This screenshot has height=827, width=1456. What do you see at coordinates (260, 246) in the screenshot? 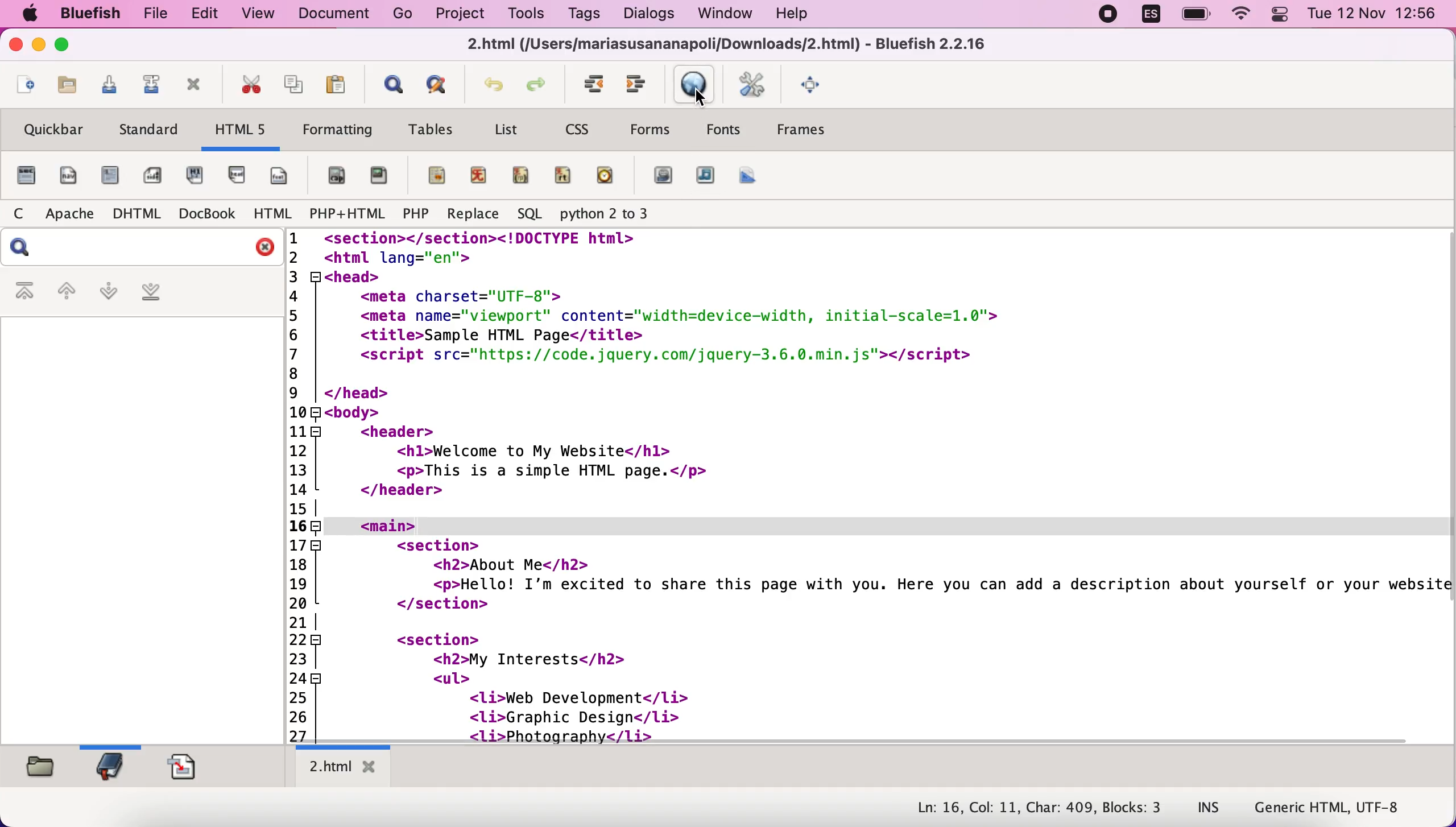
I see `close` at bounding box center [260, 246].